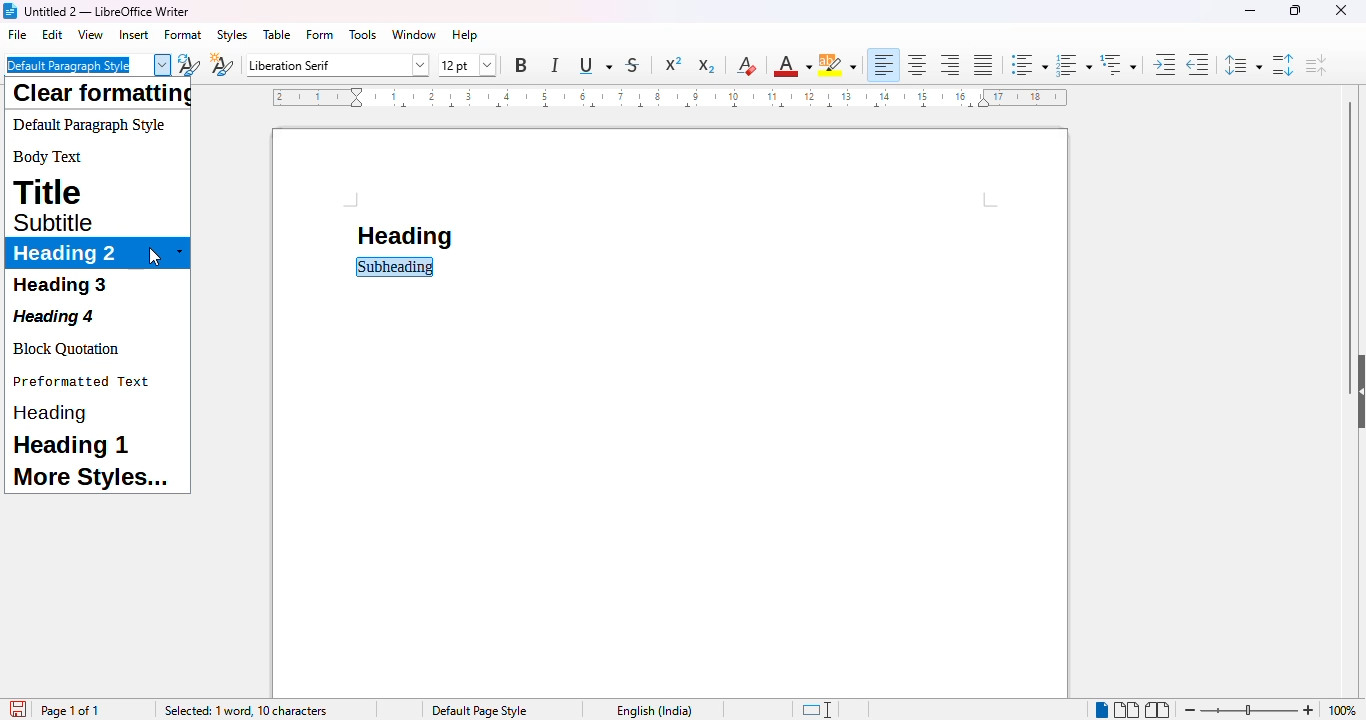  What do you see at coordinates (90, 124) in the screenshot?
I see `default paragraph style` at bounding box center [90, 124].